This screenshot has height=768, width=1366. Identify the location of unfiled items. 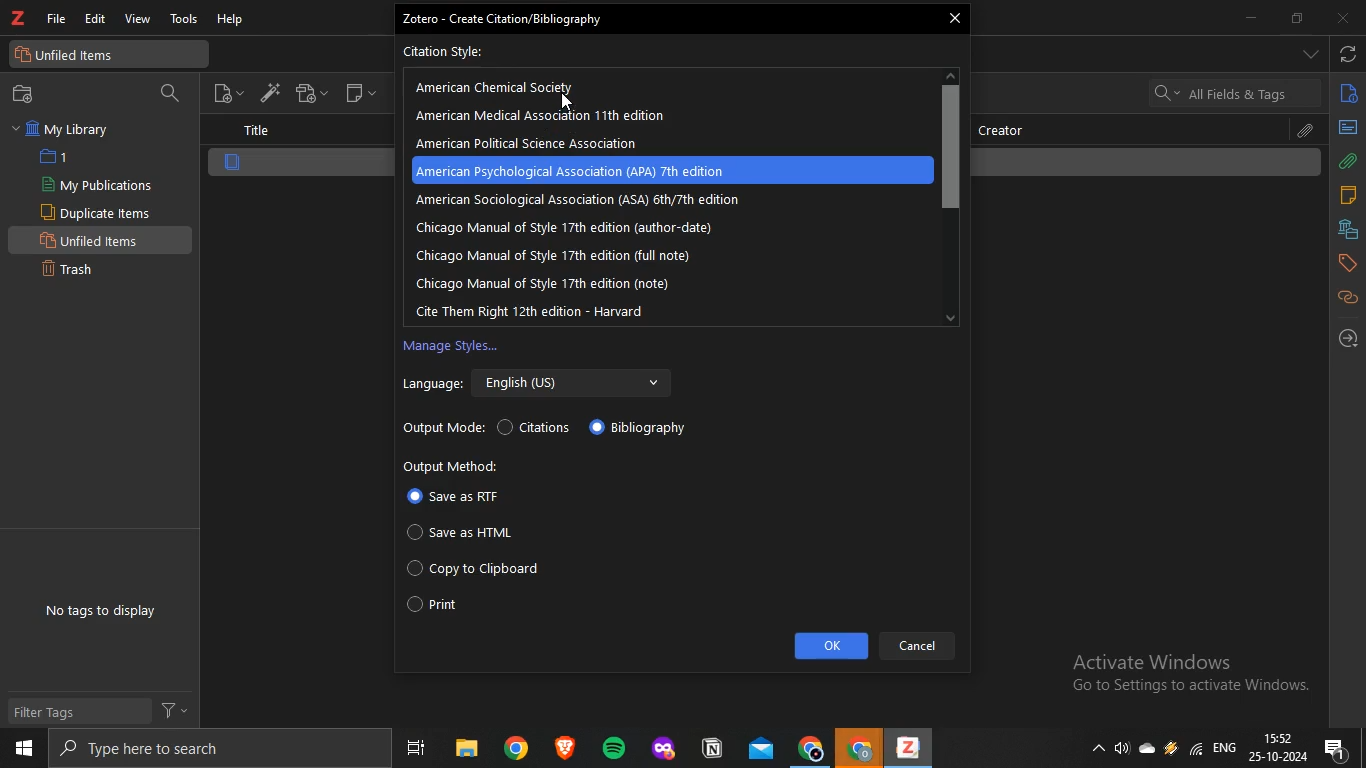
(71, 55).